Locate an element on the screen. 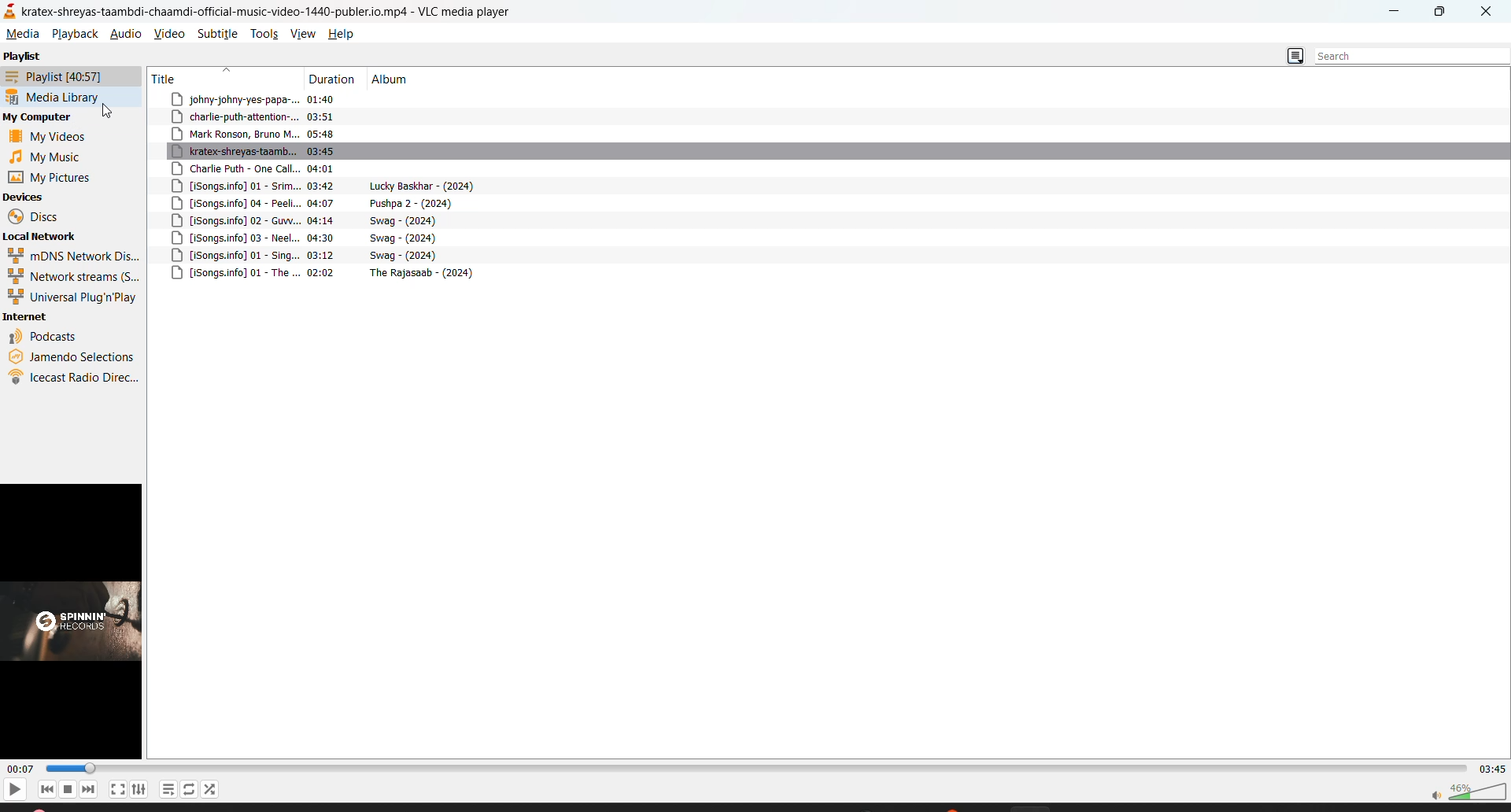 The width and height of the screenshot is (1511, 812). track title , duration and album is located at coordinates (312, 117).